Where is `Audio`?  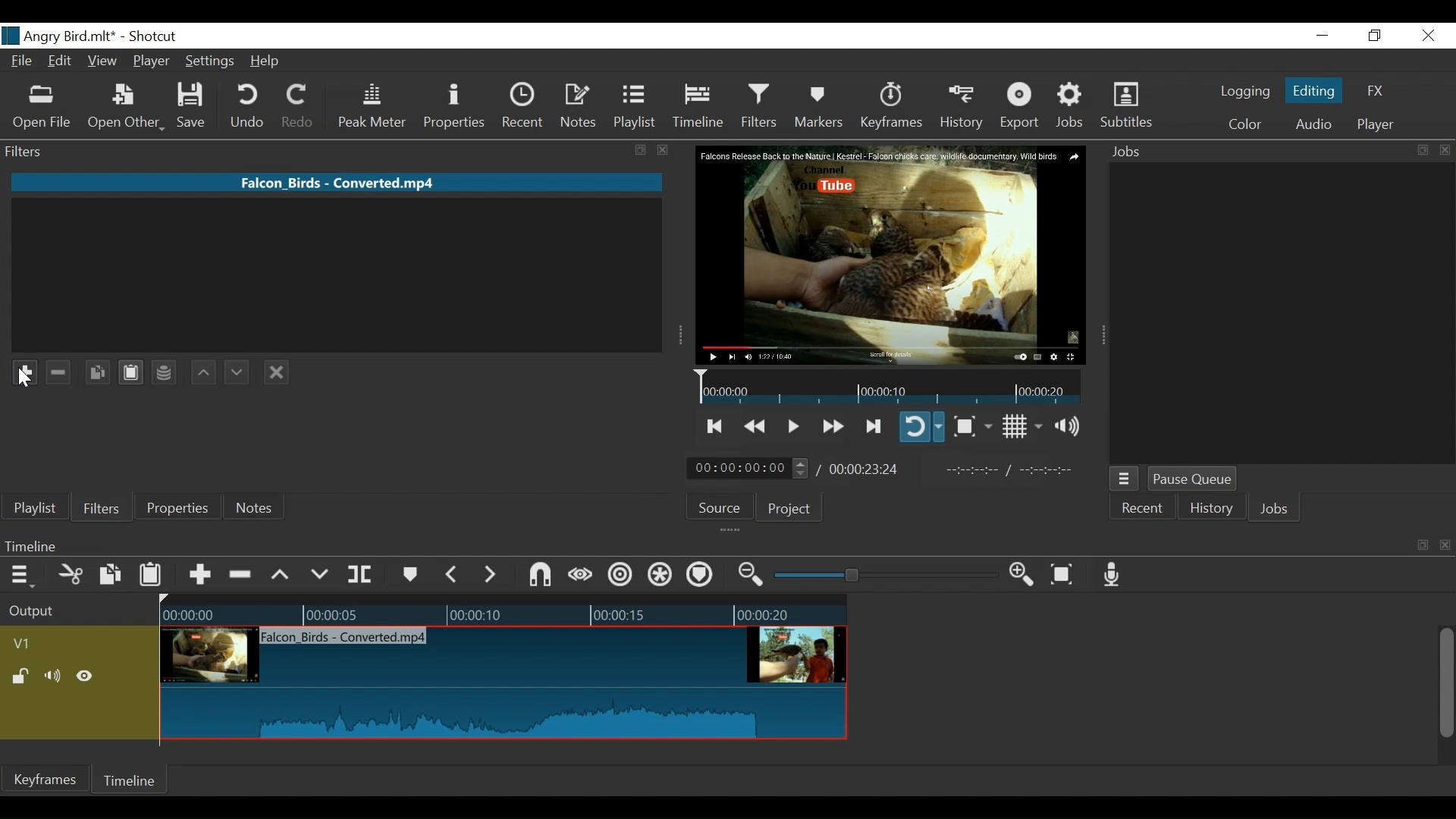 Audio is located at coordinates (1313, 126).